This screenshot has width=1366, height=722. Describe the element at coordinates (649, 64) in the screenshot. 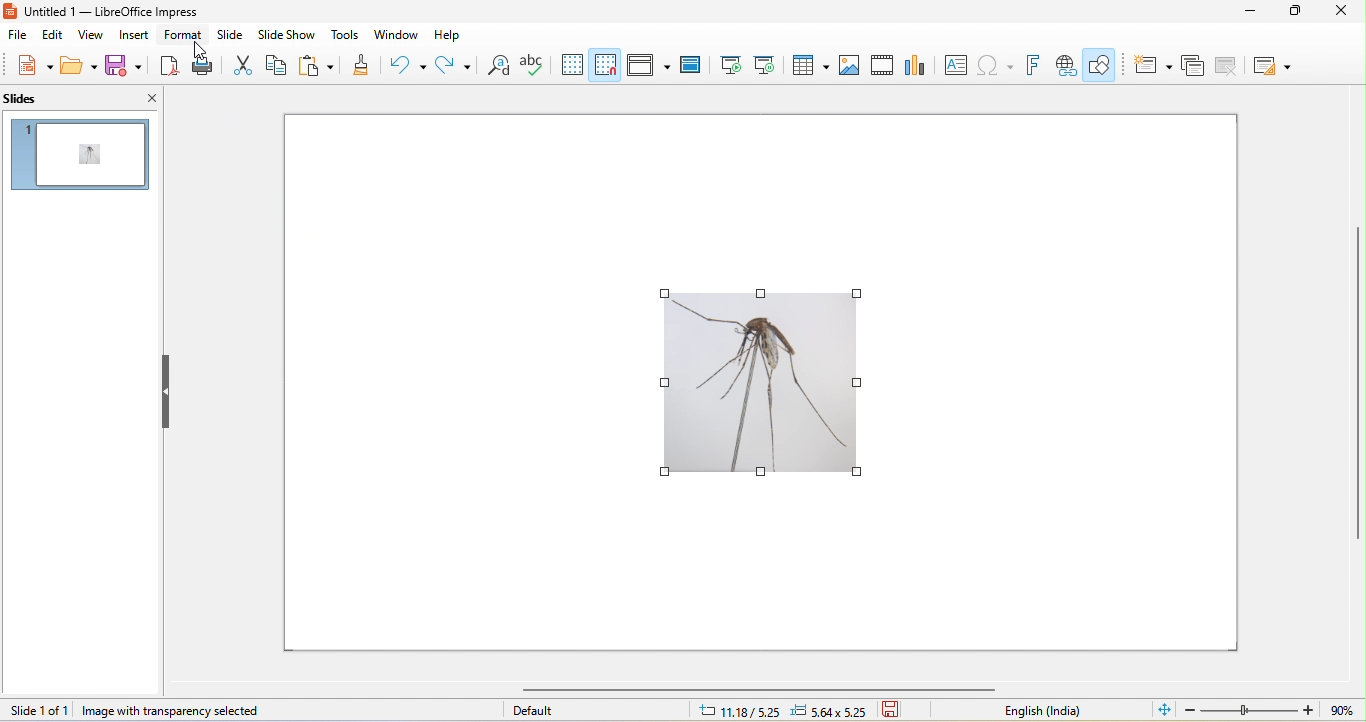

I see `display views` at that location.